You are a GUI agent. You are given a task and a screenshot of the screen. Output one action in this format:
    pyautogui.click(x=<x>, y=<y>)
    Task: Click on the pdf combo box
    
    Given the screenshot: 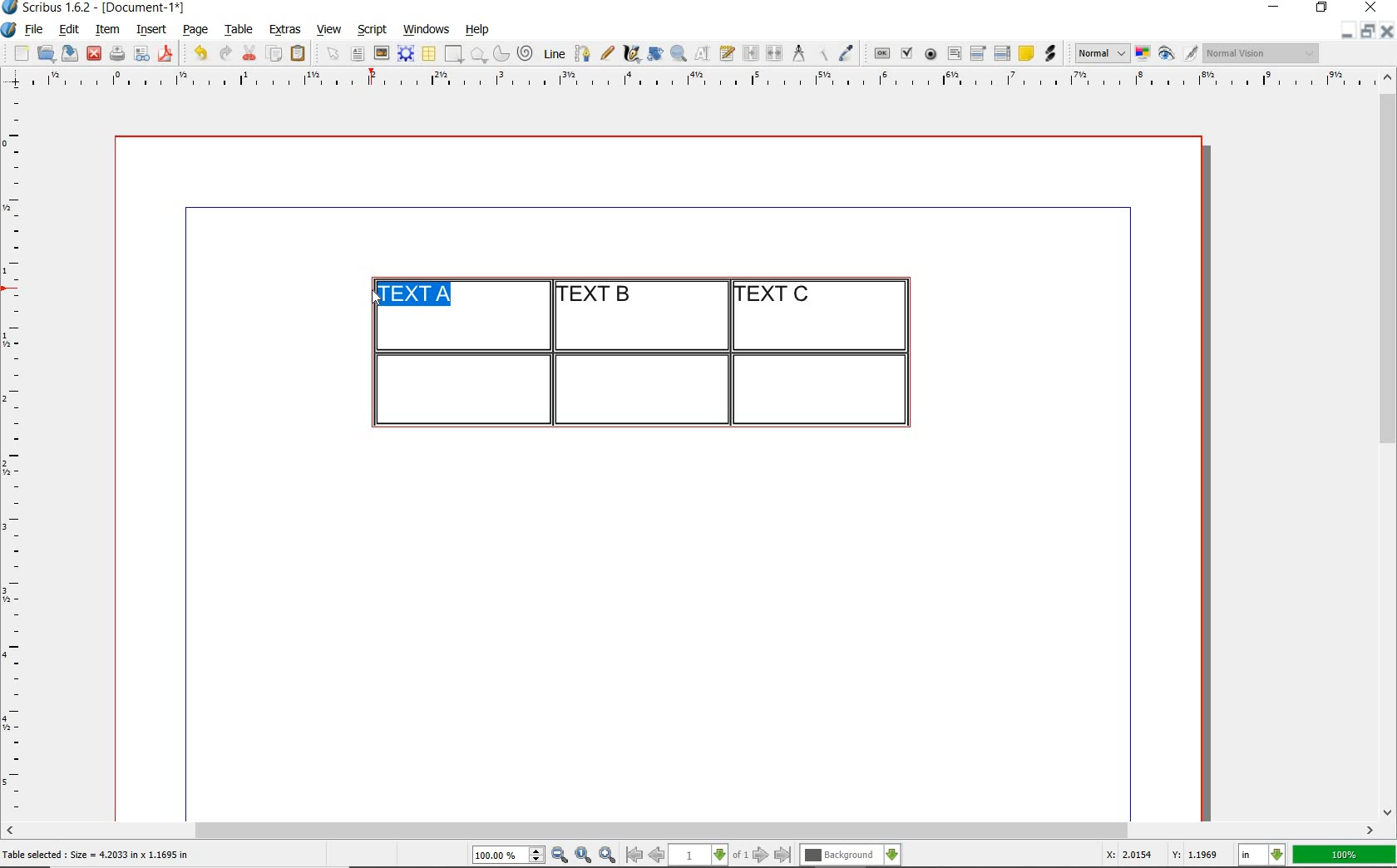 What is the action you would take?
    pyautogui.click(x=979, y=52)
    